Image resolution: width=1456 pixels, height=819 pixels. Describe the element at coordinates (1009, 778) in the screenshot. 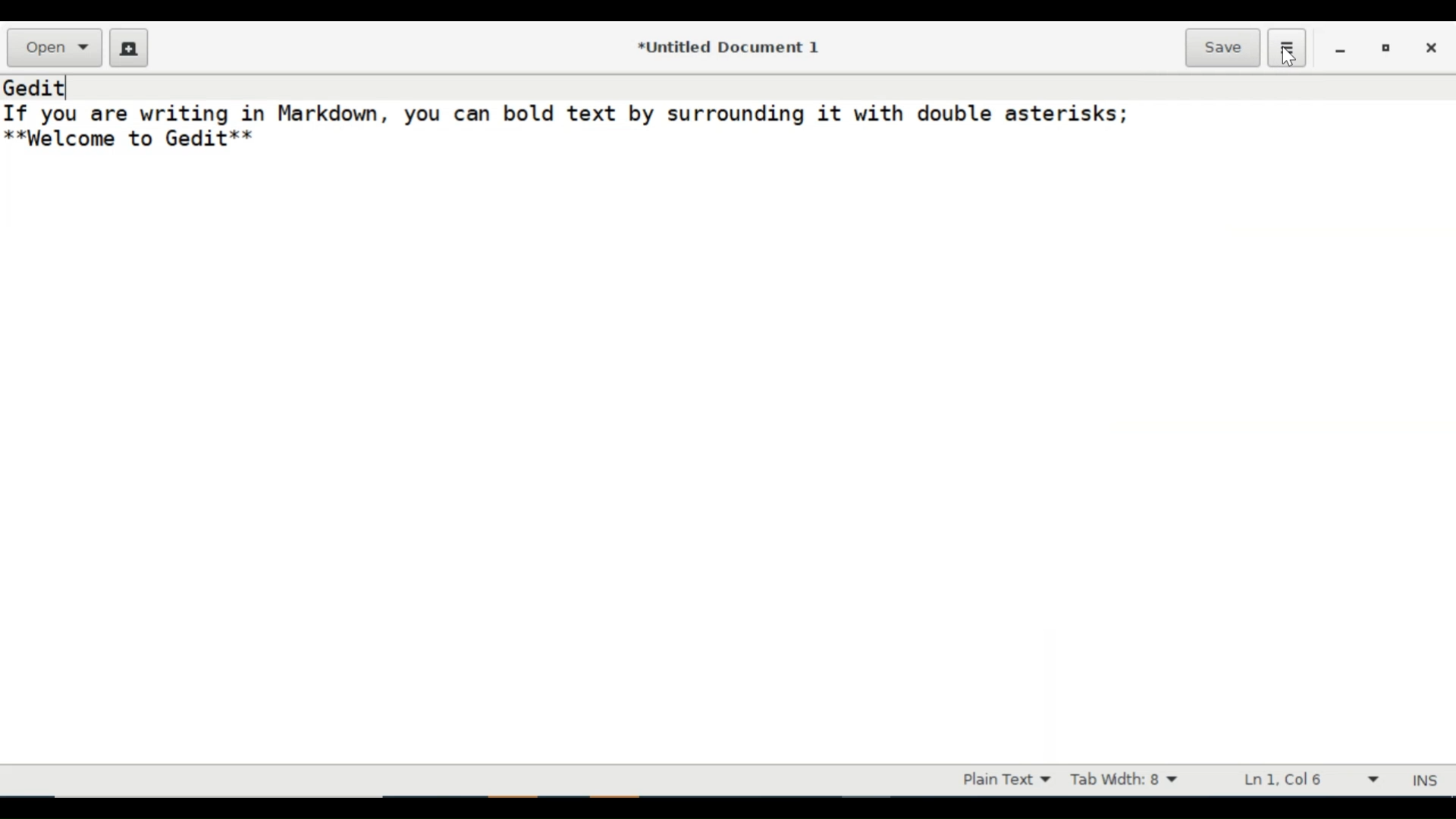

I see `Highlight mode dropdown menu` at that location.